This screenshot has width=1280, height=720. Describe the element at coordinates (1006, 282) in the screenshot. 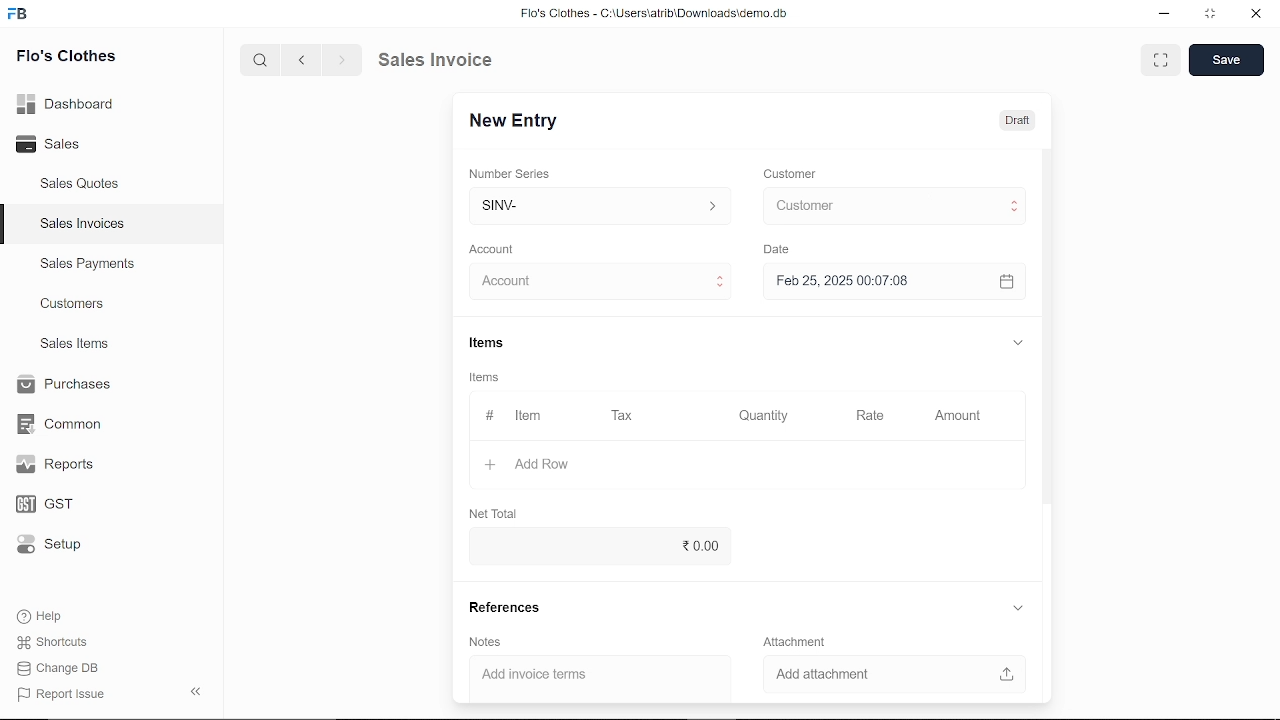

I see `open calender` at that location.